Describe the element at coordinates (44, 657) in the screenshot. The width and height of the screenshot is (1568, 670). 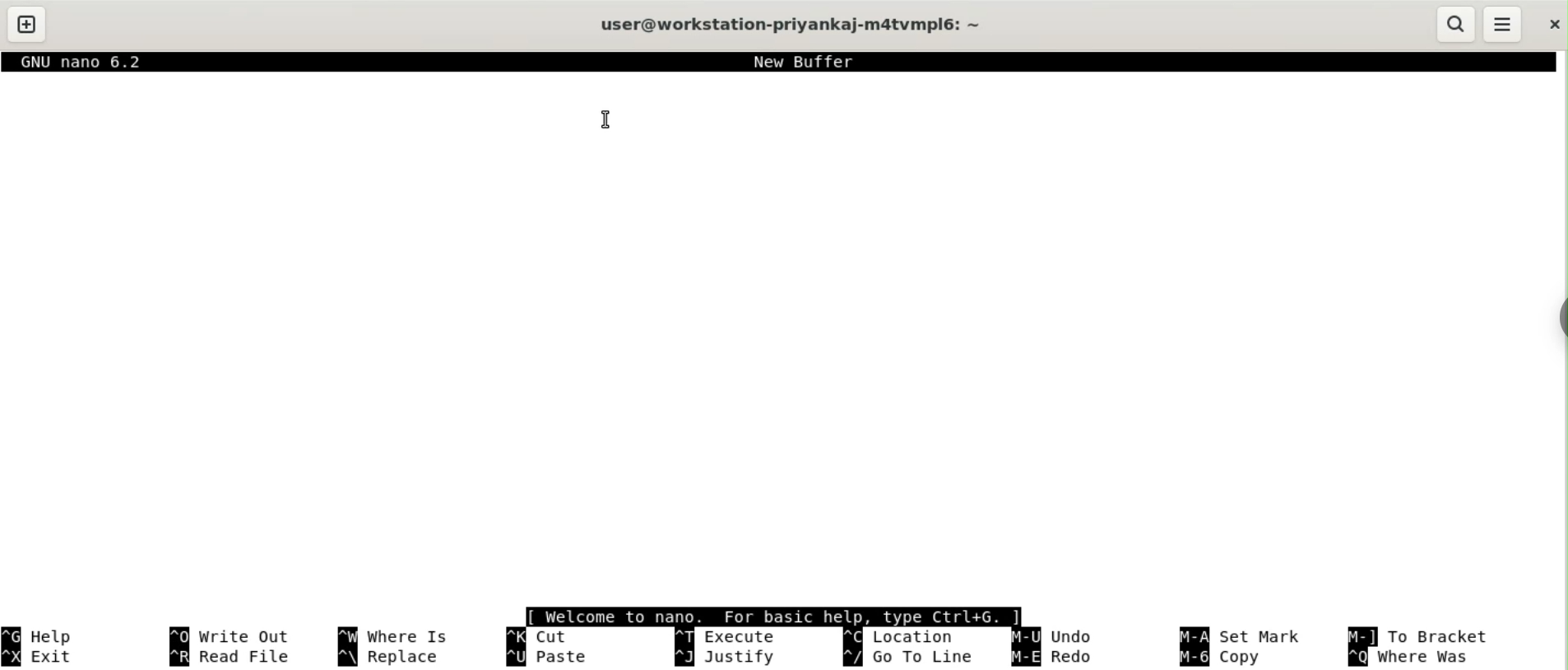
I see `exit` at that location.